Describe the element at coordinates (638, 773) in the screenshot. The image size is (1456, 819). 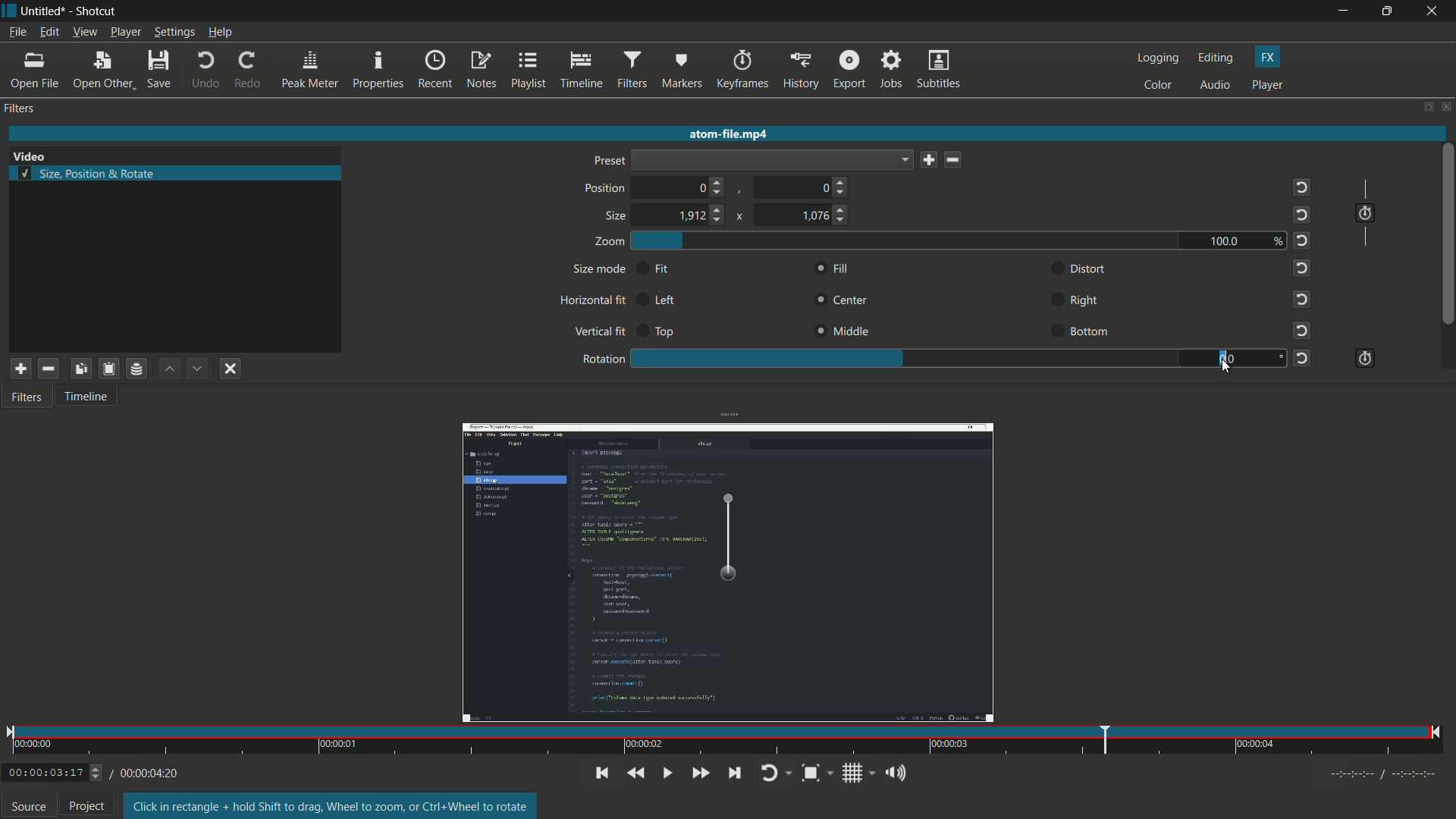
I see `quickly play backward` at that location.